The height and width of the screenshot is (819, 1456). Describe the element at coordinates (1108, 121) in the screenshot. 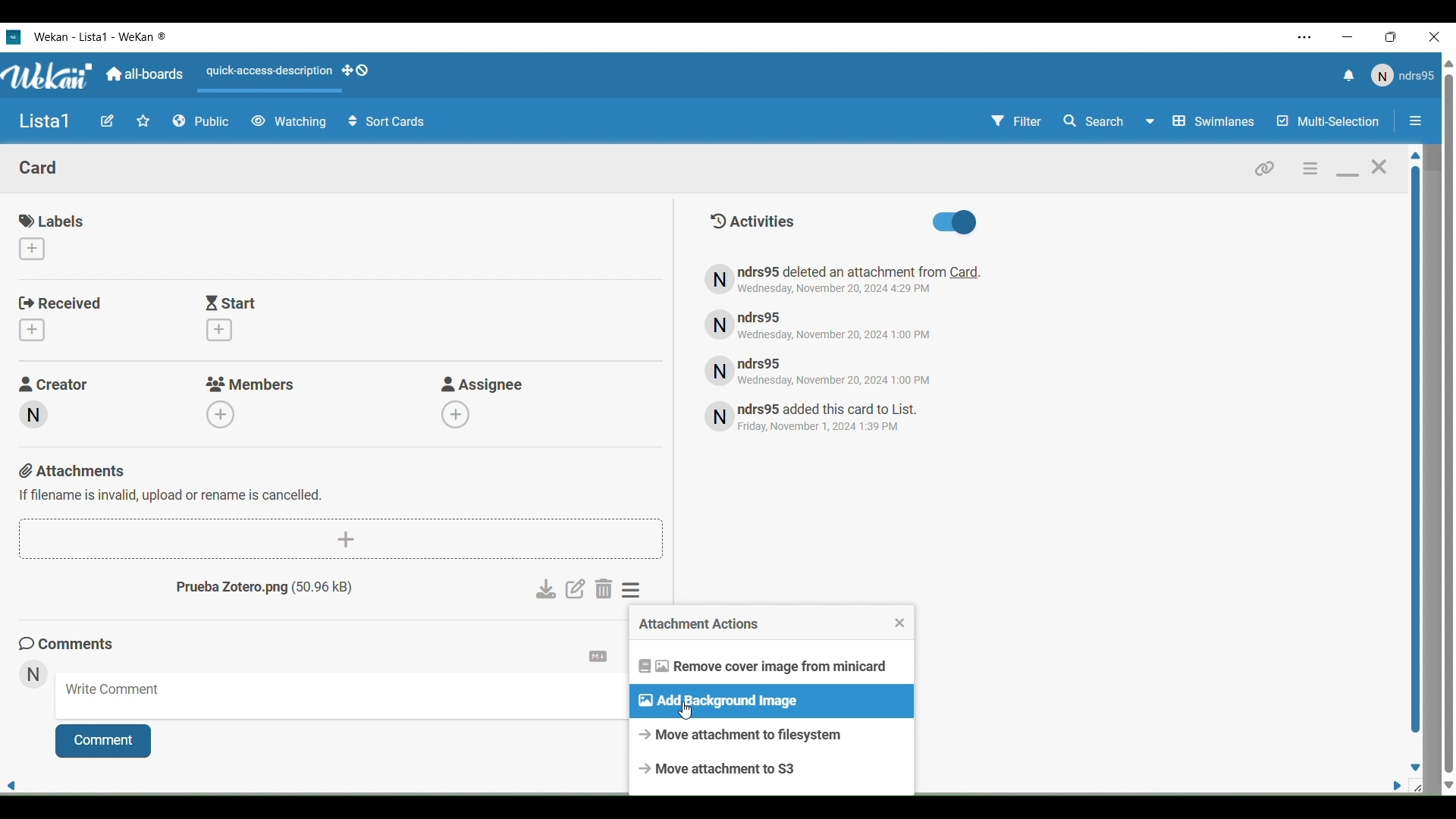

I see `Search` at that location.